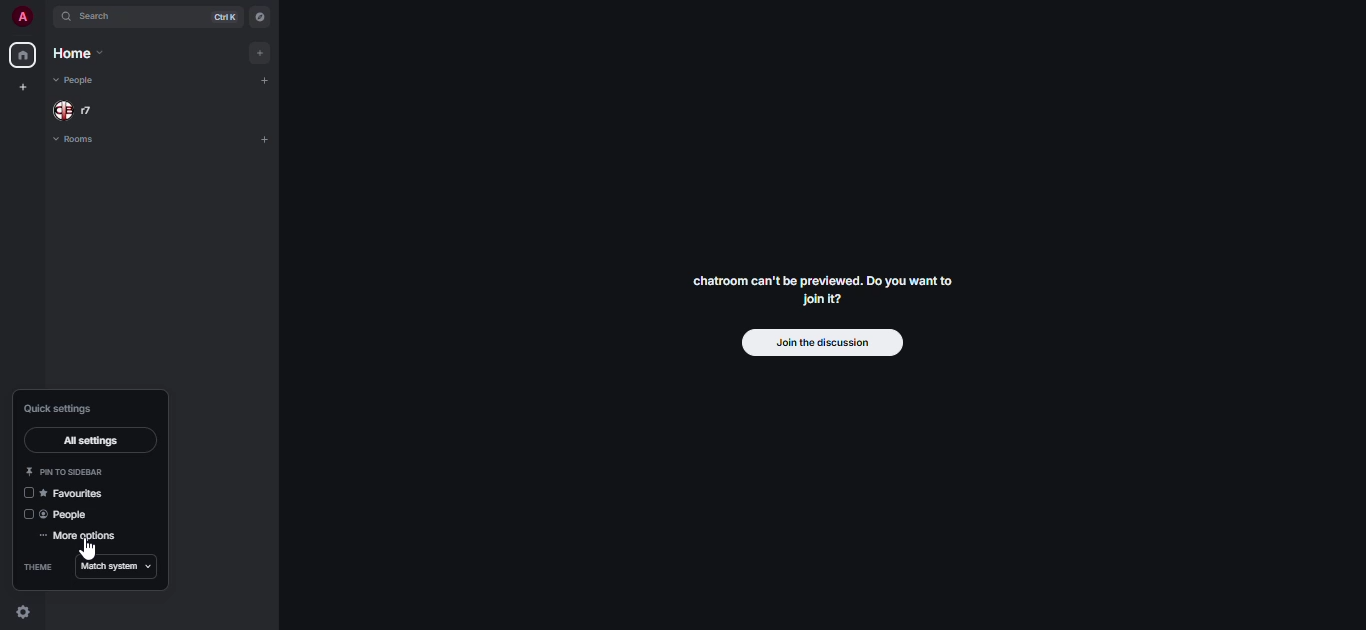 This screenshot has height=630, width=1366. I want to click on home, so click(22, 54).